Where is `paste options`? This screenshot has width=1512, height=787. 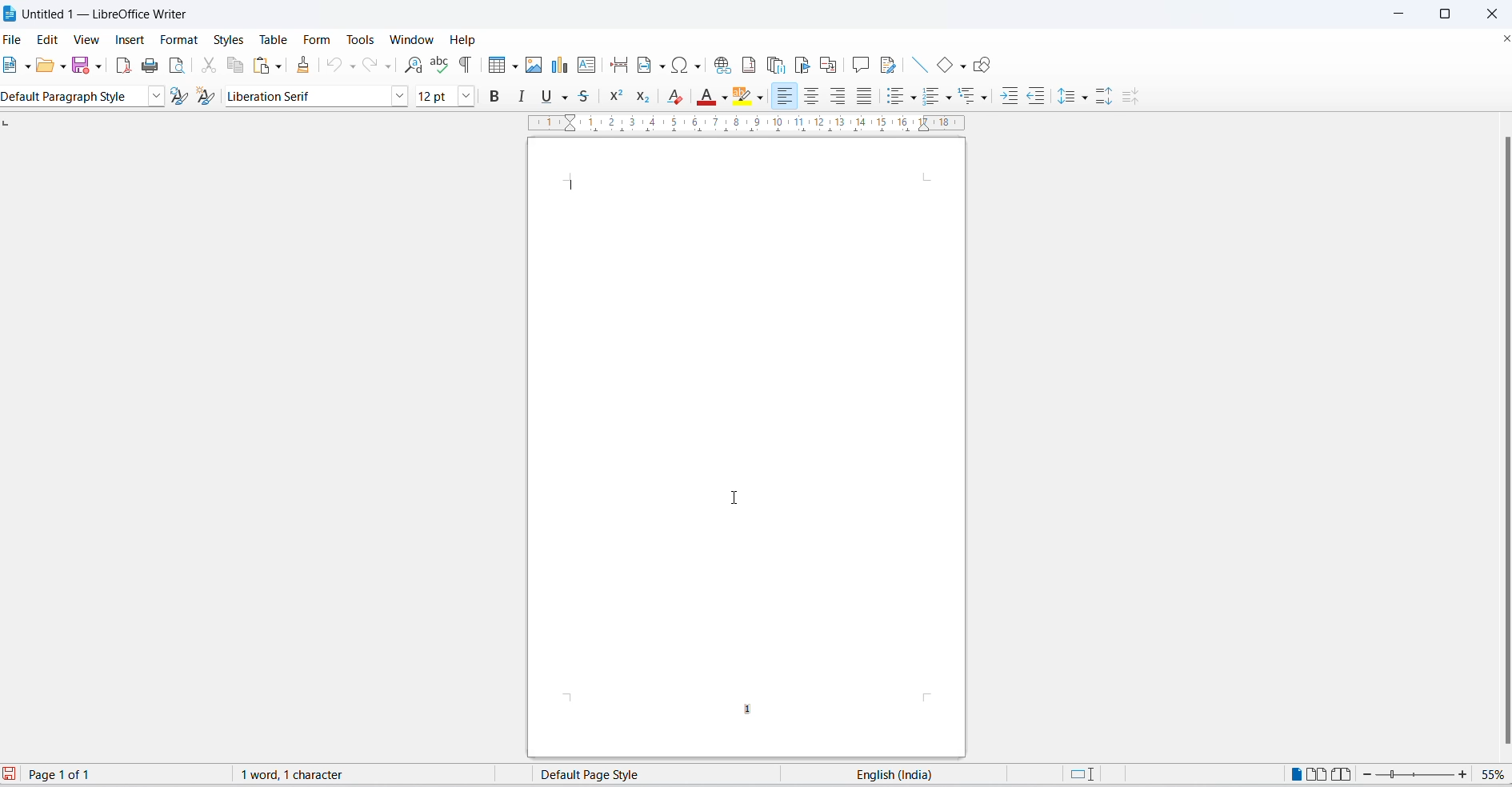
paste options is located at coordinates (280, 66).